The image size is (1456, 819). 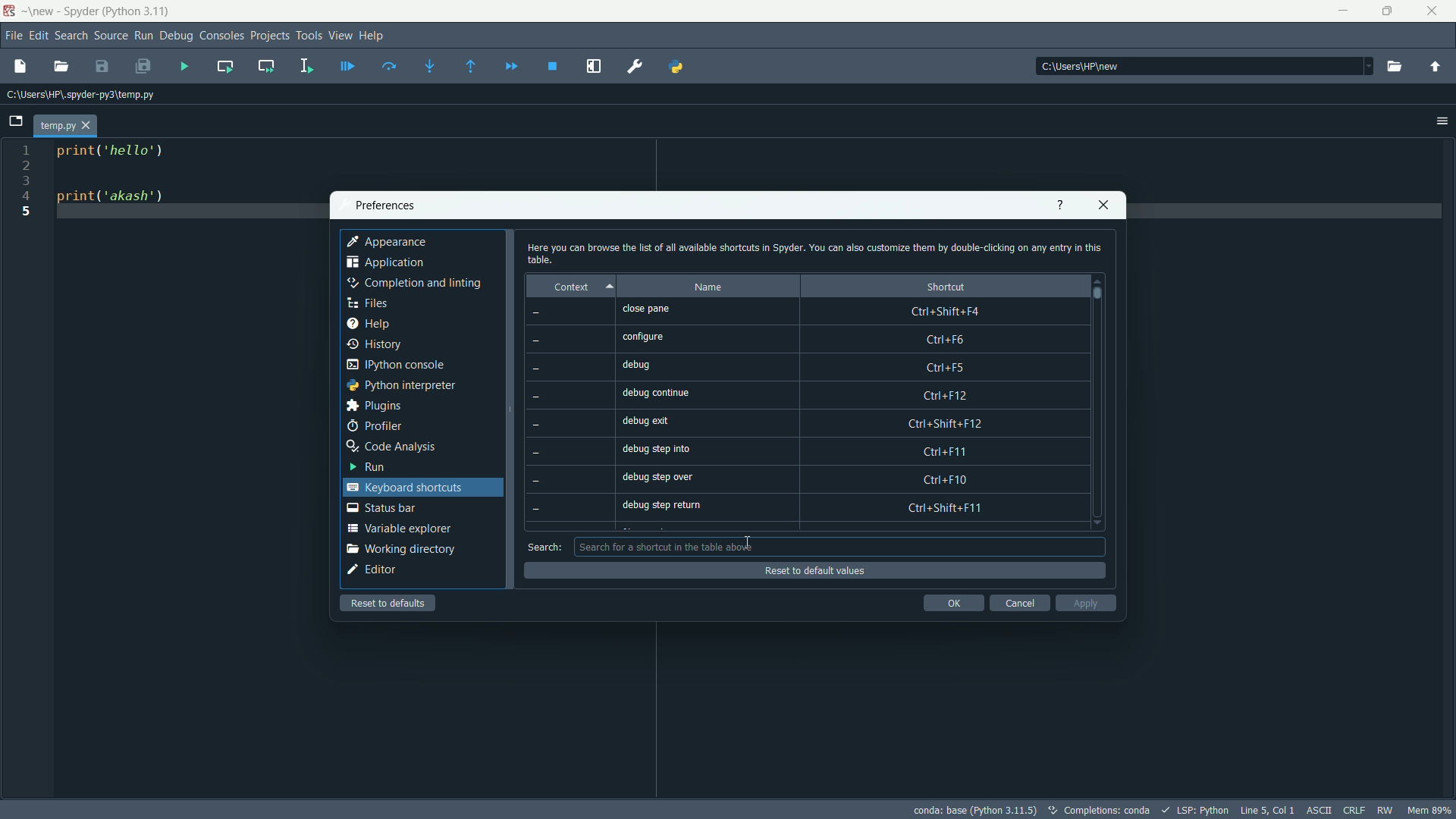 I want to click on code analysis, so click(x=396, y=447).